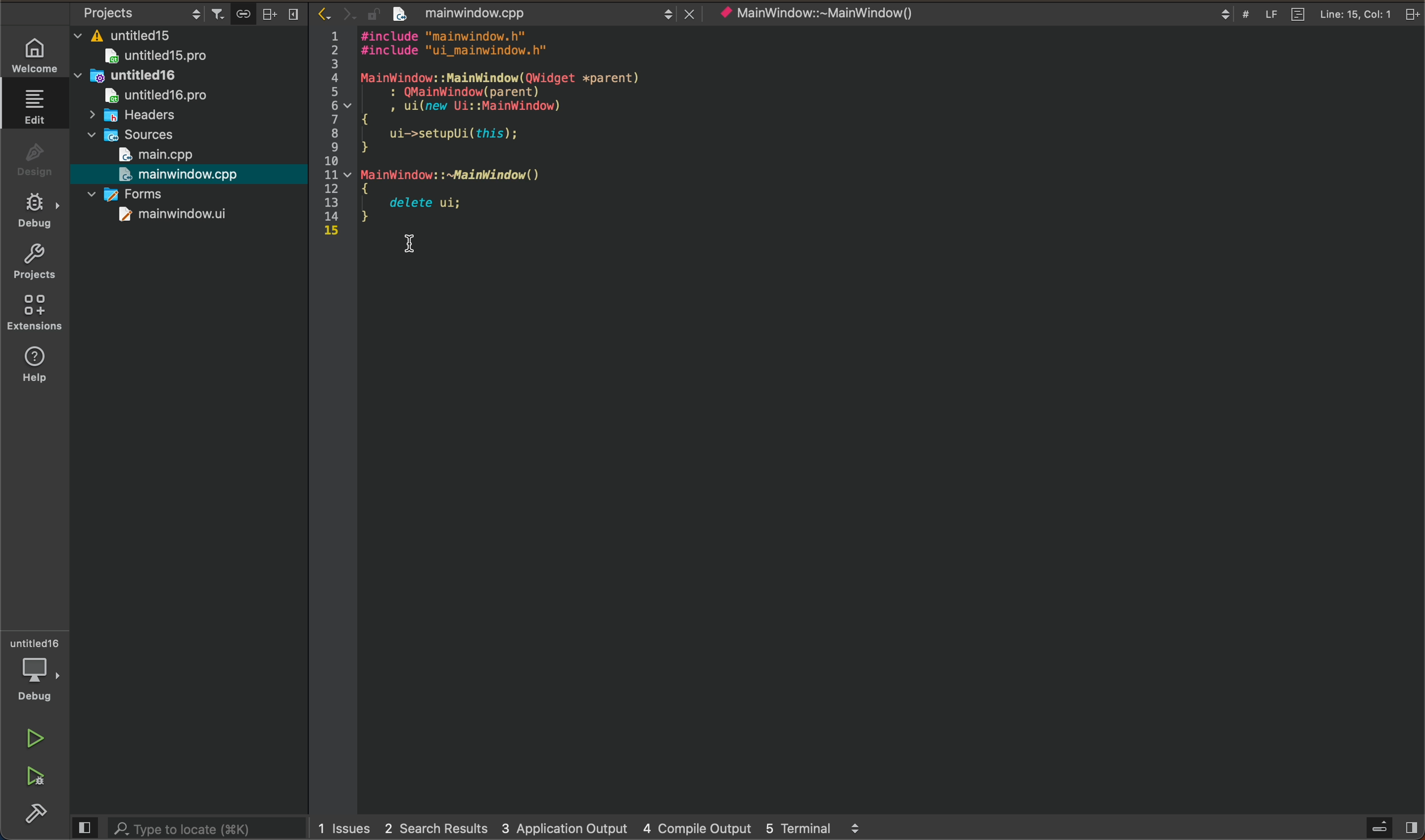 The height and width of the screenshot is (840, 1425). I want to click on WELCOME, so click(34, 54).